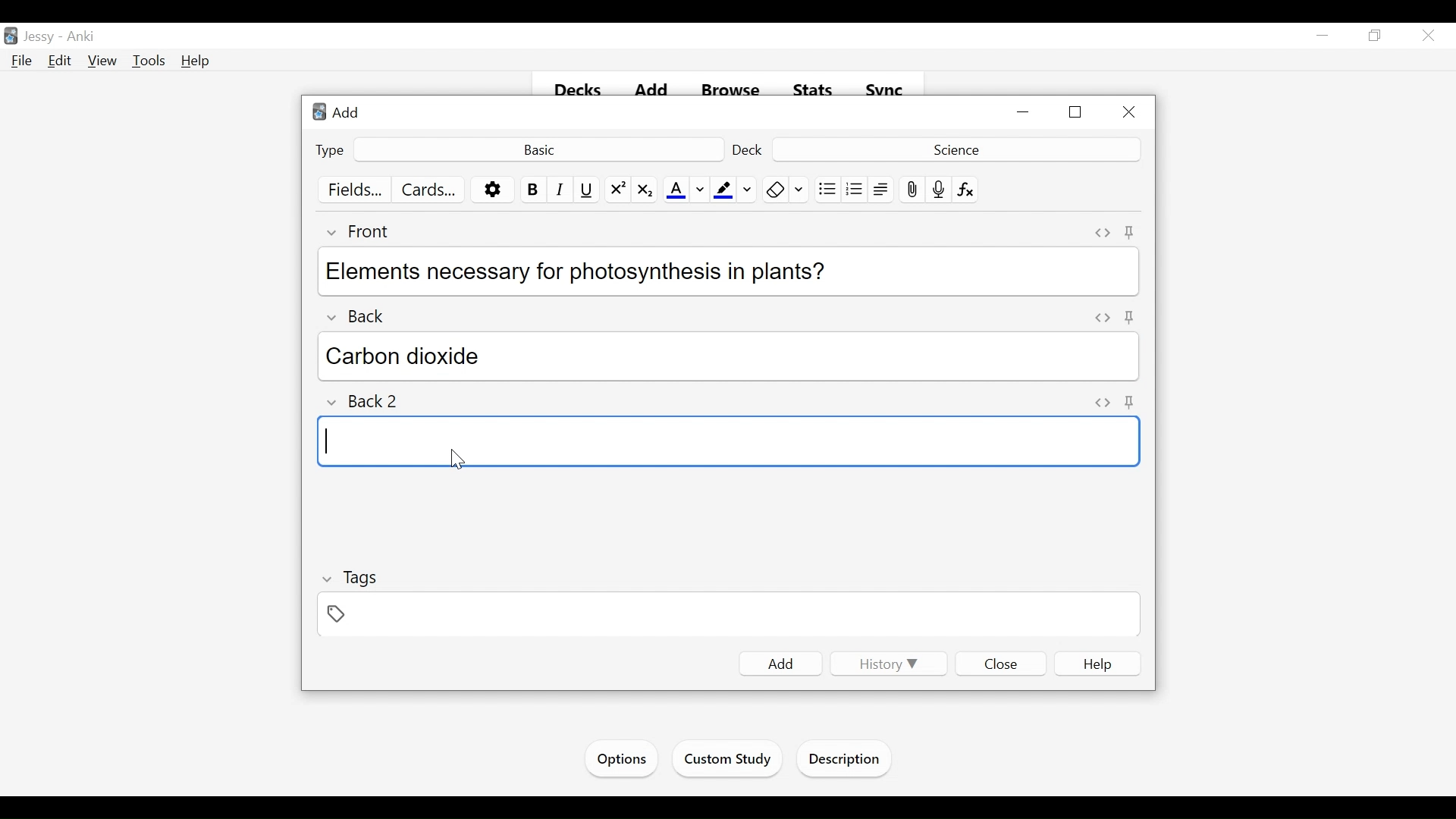  What do you see at coordinates (800, 190) in the screenshot?
I see `Change color` at bounding box center [800, 190].